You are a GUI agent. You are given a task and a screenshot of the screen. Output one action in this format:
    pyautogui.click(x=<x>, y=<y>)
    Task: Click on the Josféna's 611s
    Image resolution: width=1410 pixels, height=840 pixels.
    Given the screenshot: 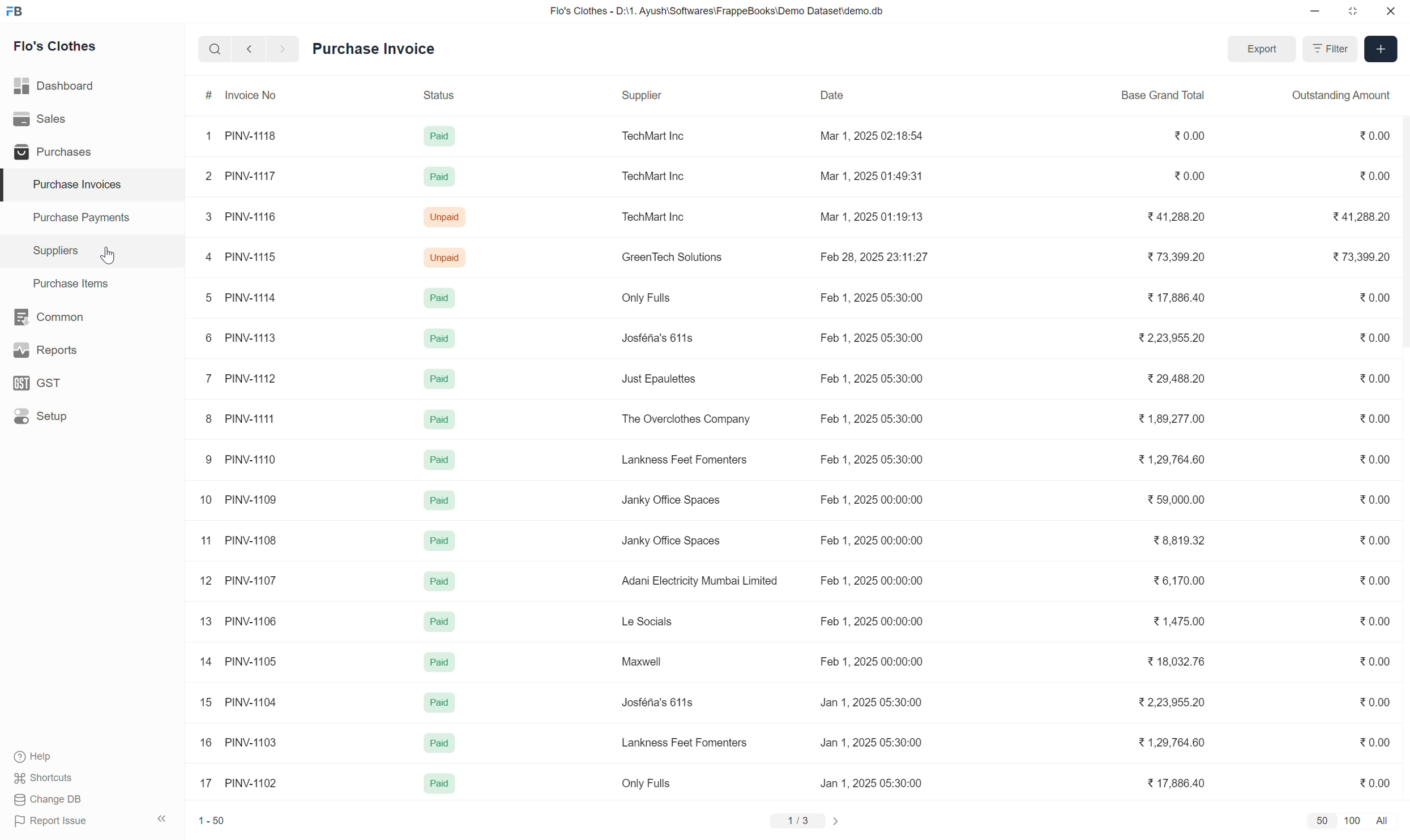 What is the action you would take?
    pyautogui.click(x=658, y=702)
    